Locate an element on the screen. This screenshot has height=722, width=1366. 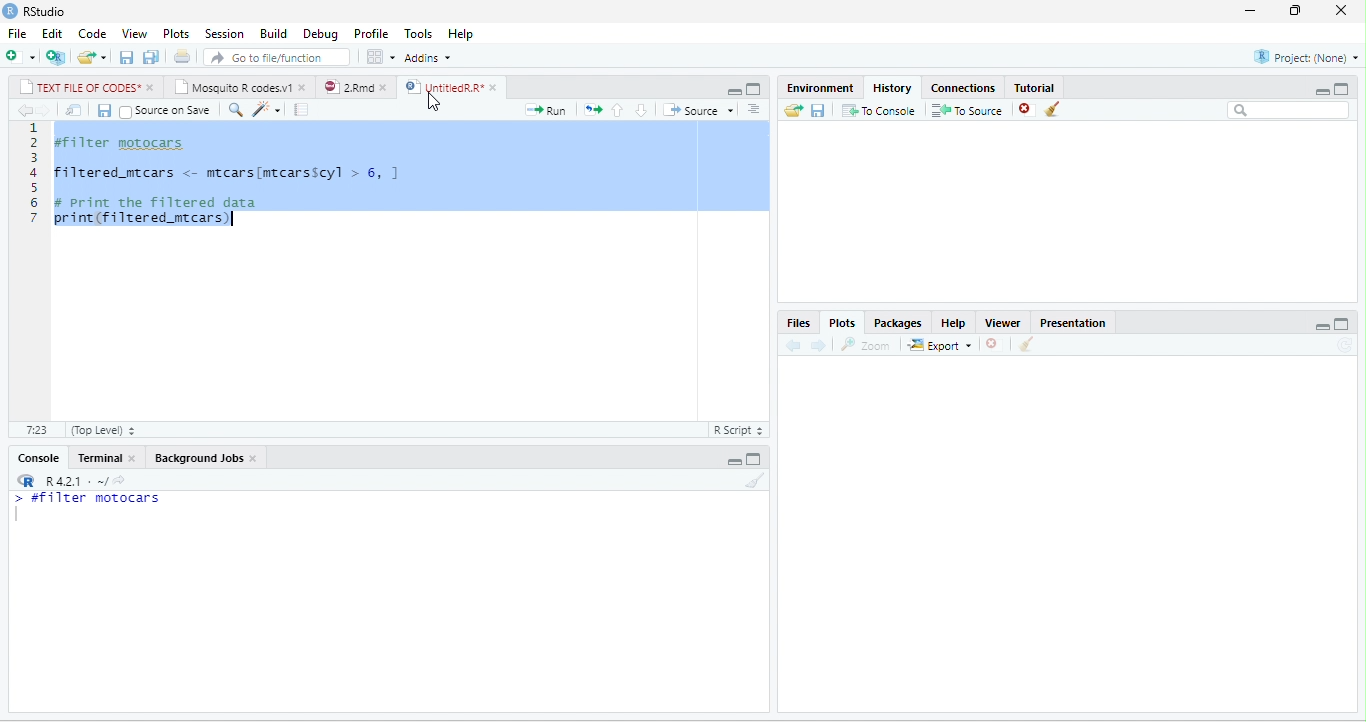
search file is located at coordinates (276, 58).